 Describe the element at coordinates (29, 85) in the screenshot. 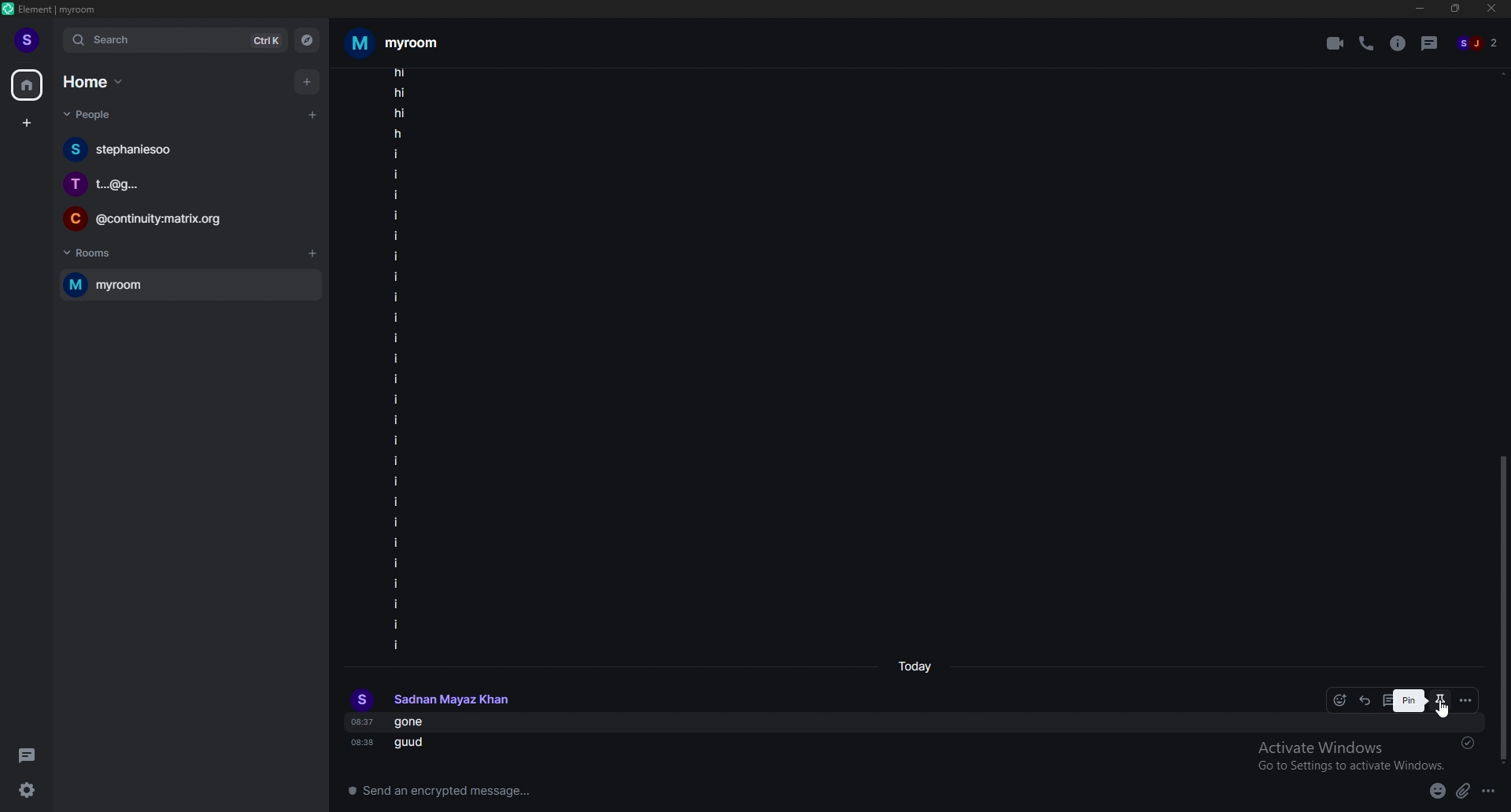

I see `home` at that location.